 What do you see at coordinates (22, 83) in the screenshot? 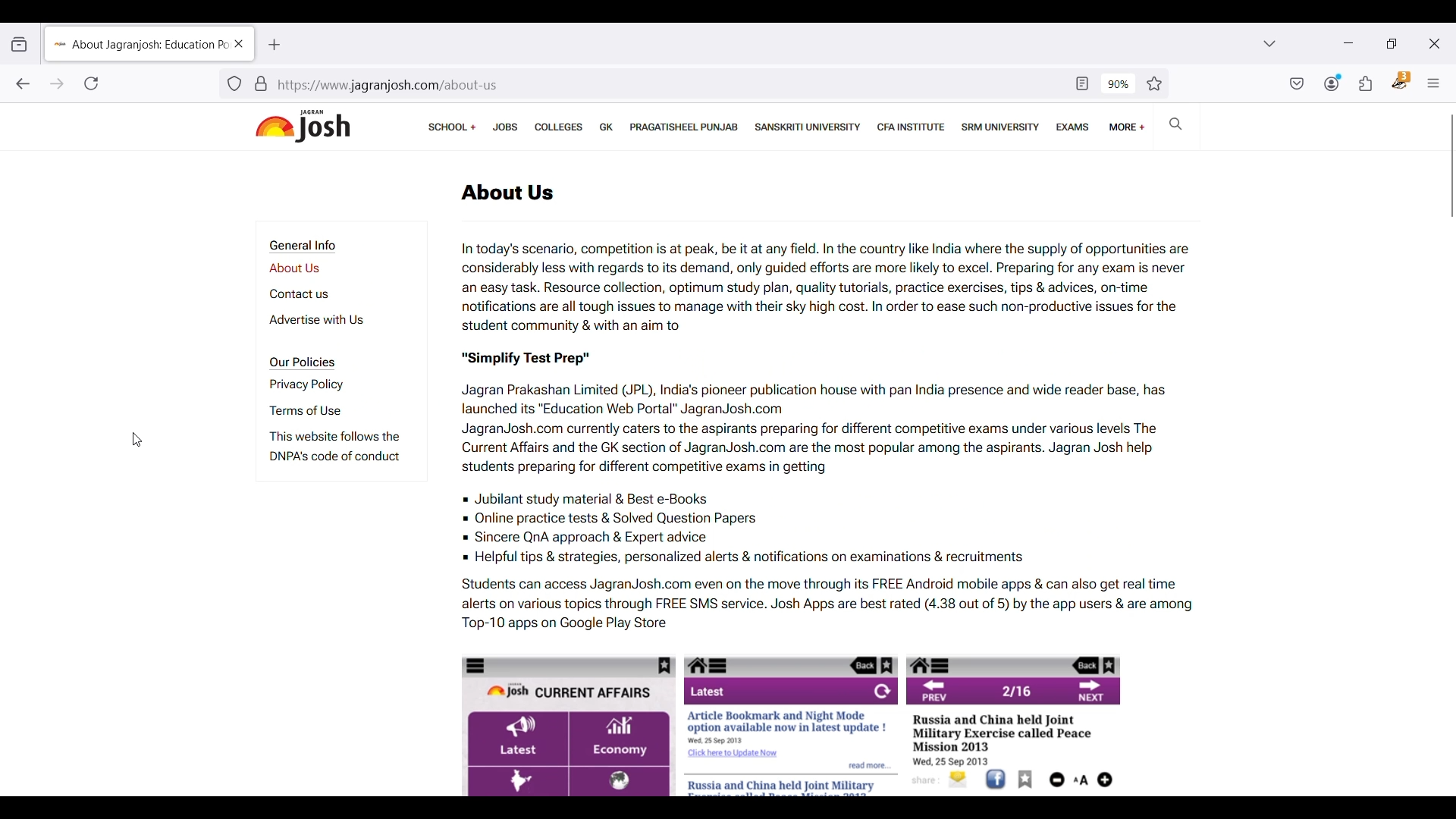
I see `Go back one page` at bounding box center [22, 83].